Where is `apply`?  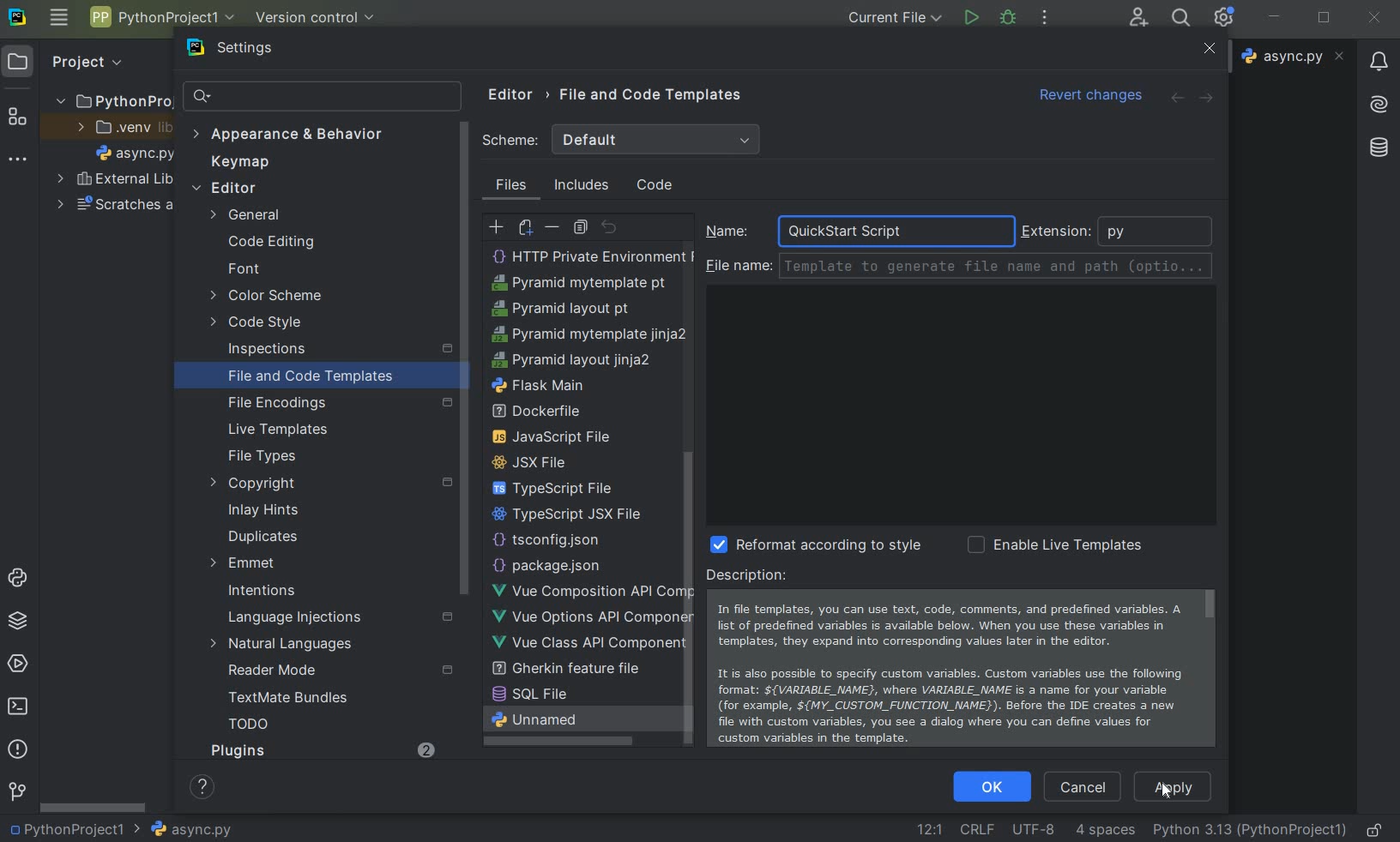
apply is located at coordinates (1173, 787).